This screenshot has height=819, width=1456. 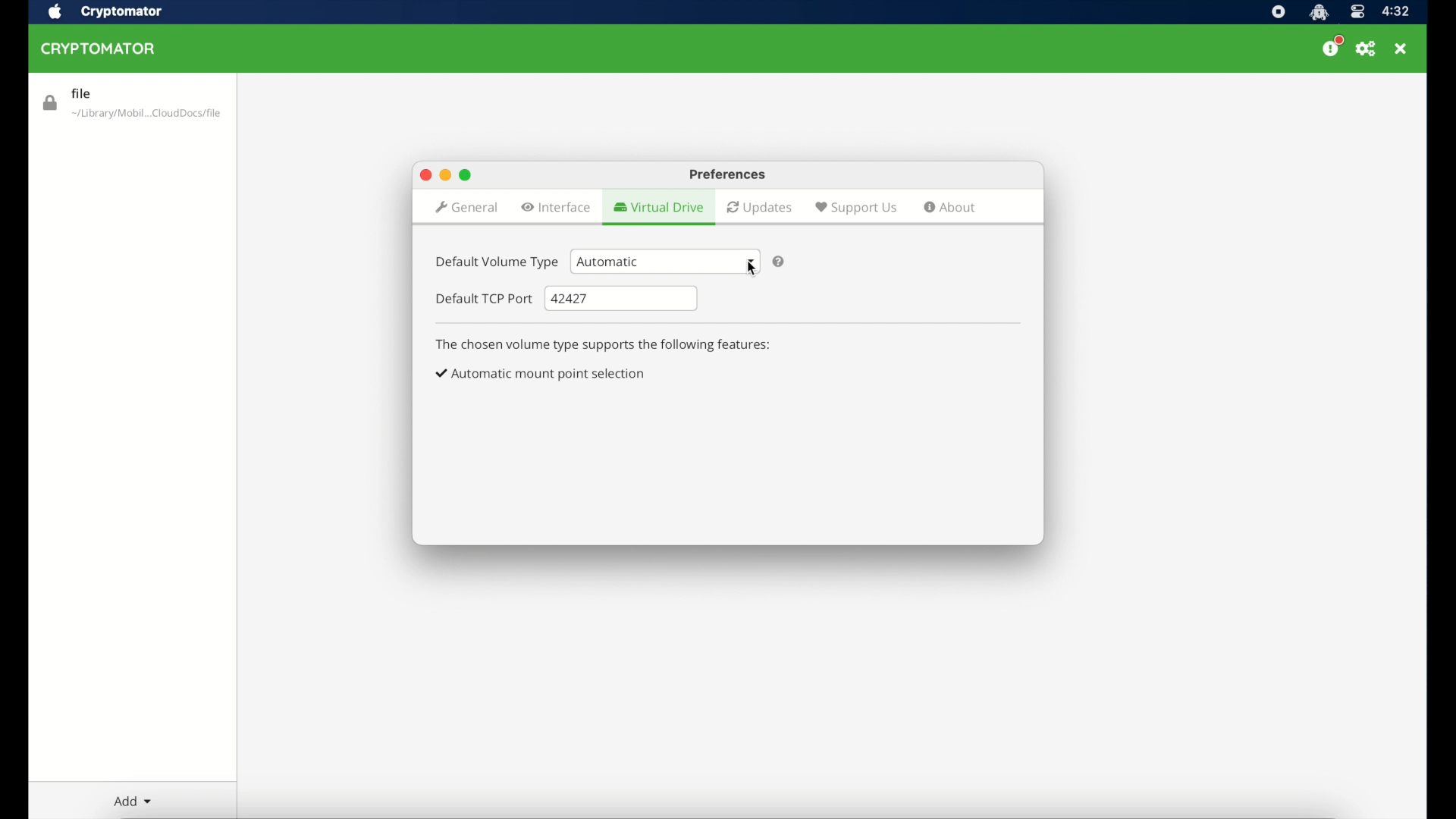 I want to click on apple icon, so click(x=53, y=12).